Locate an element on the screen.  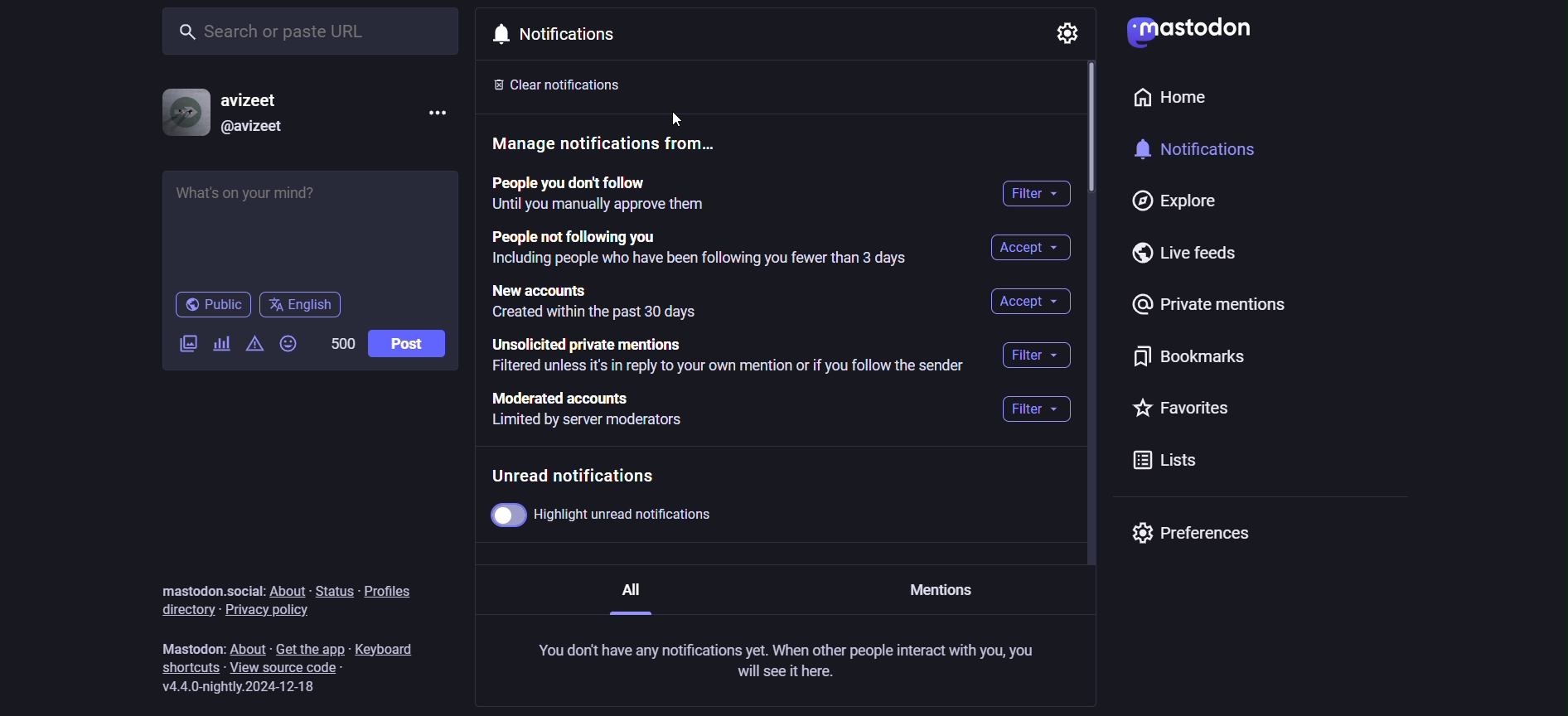
vertical scroll bar is located at coordinates (1091, 130).